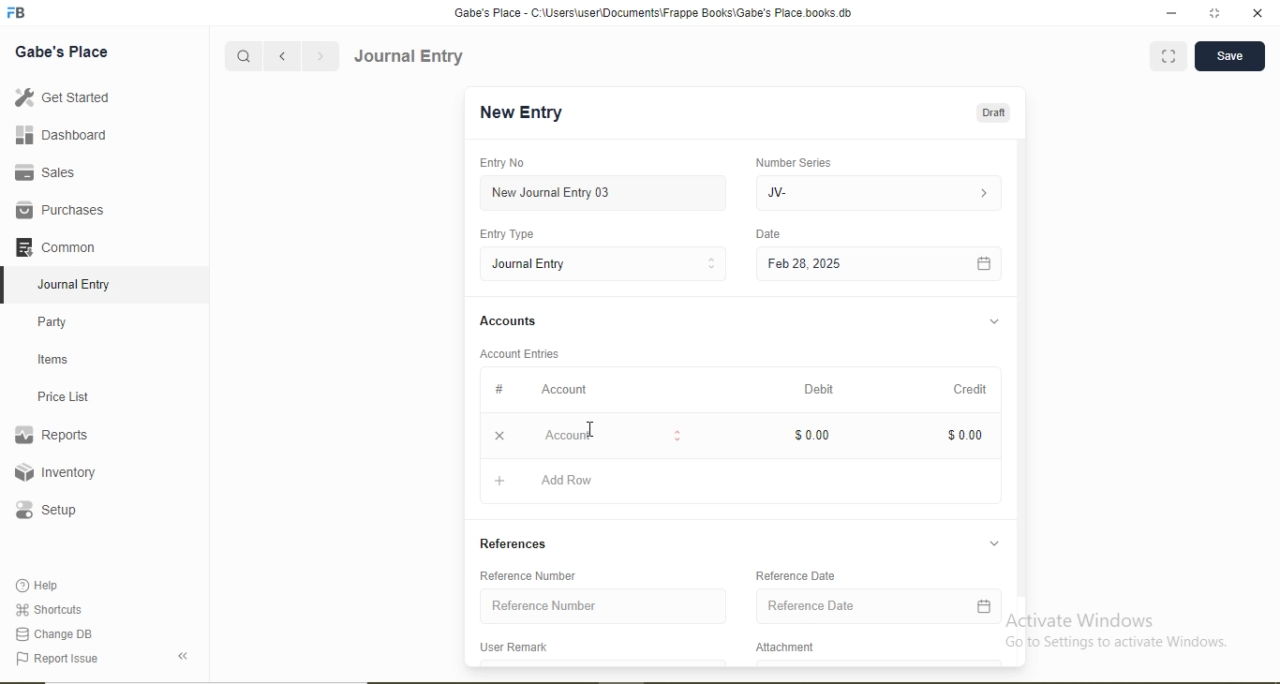  What do you see at coordinates (544, 604) in the screenshot?
I see `Reference Number` at bounding box center [544, 604].